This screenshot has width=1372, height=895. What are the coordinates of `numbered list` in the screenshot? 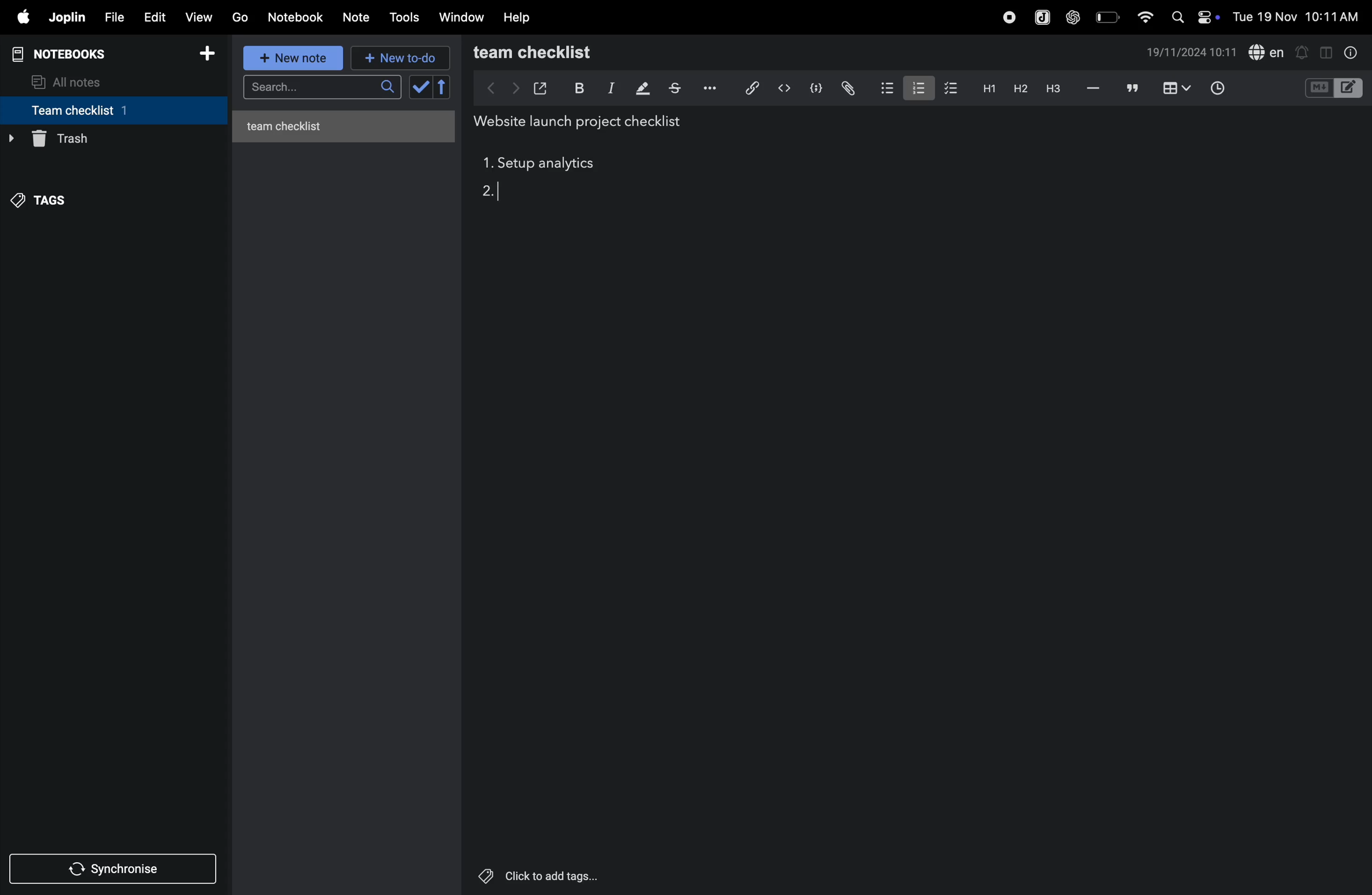 It's located at (916, 87).